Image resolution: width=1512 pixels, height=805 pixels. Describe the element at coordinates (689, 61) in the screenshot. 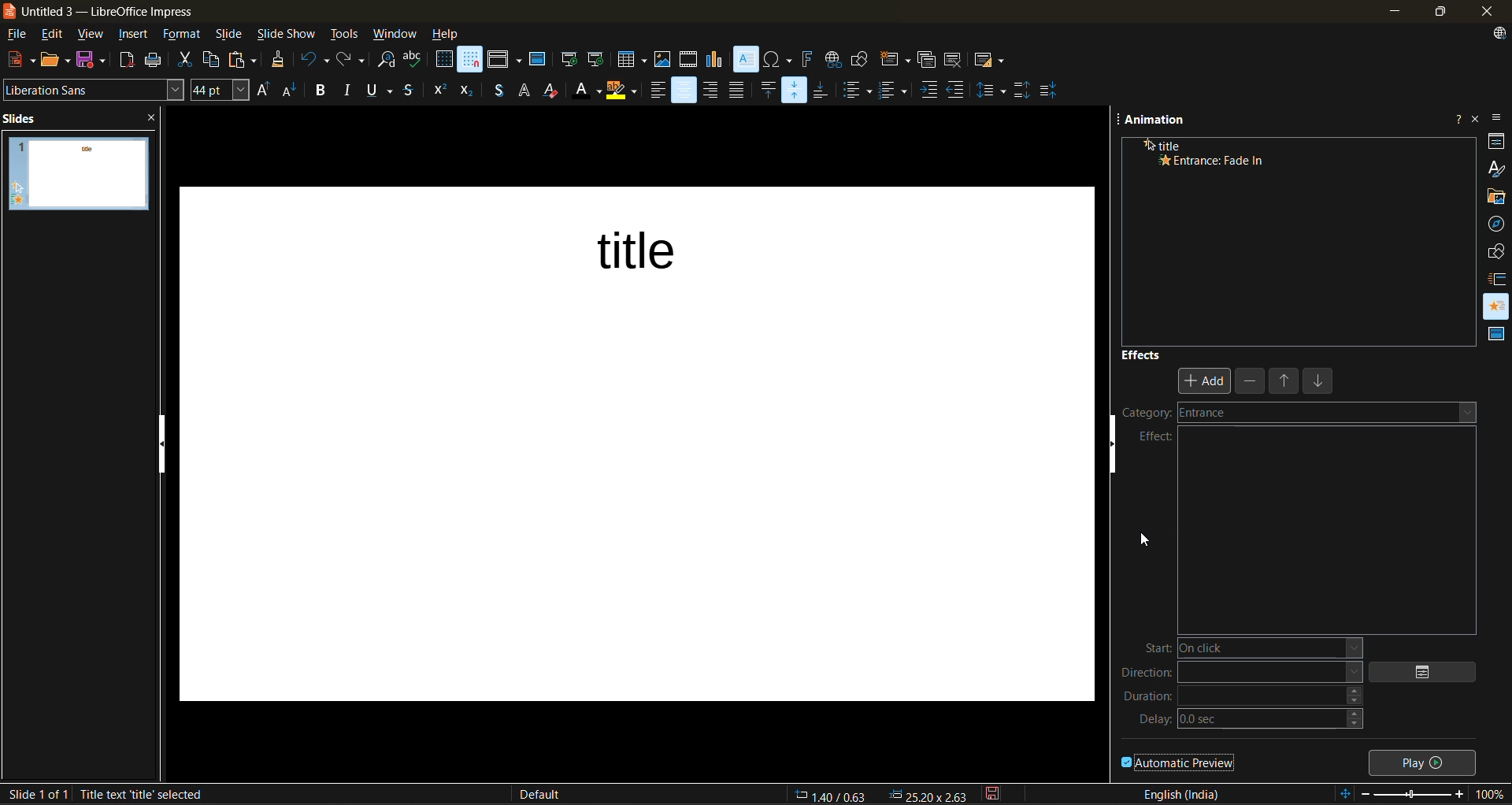

I see `insert audio or video` at that location.